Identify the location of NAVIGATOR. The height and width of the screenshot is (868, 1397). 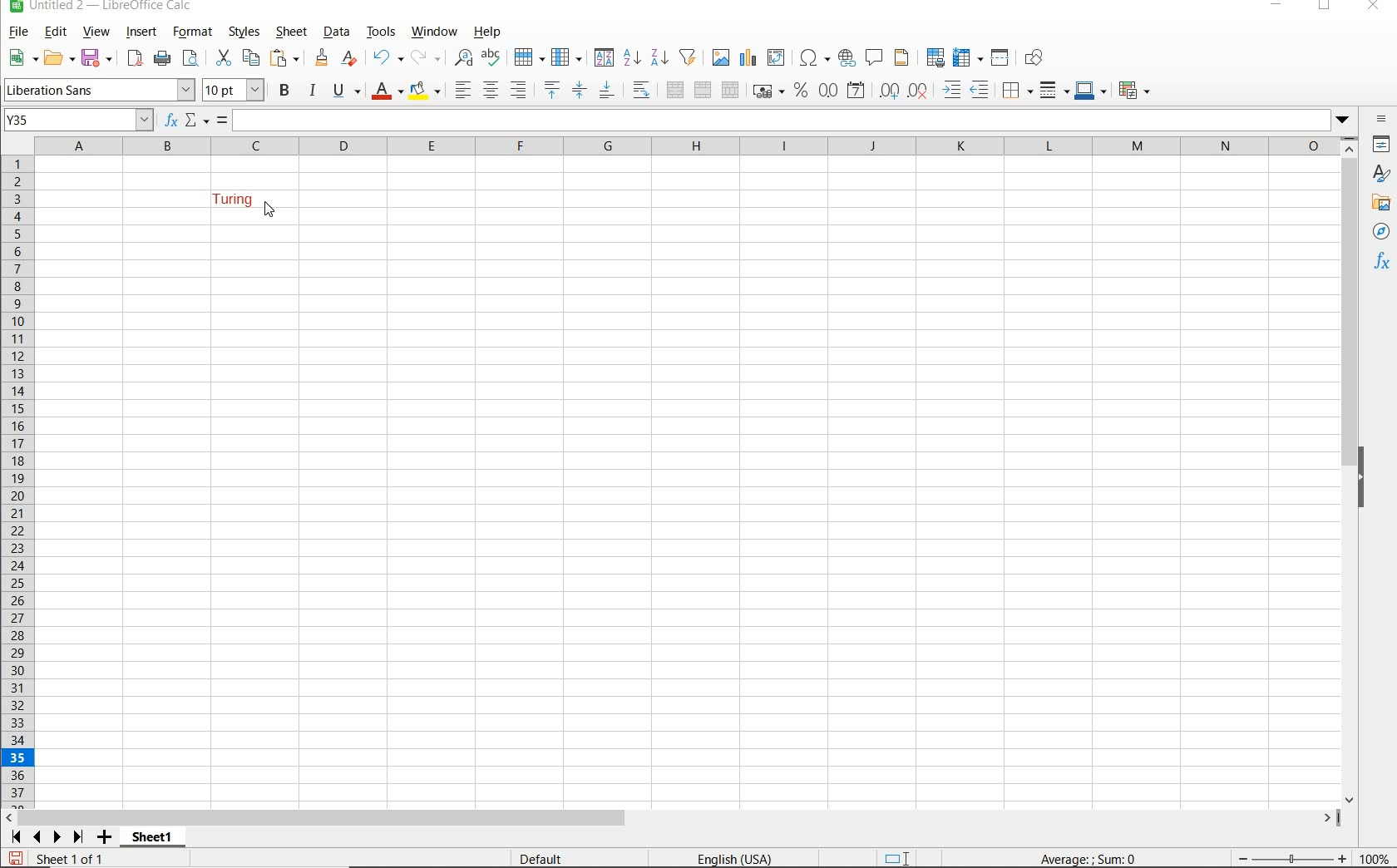
(1382, 233).